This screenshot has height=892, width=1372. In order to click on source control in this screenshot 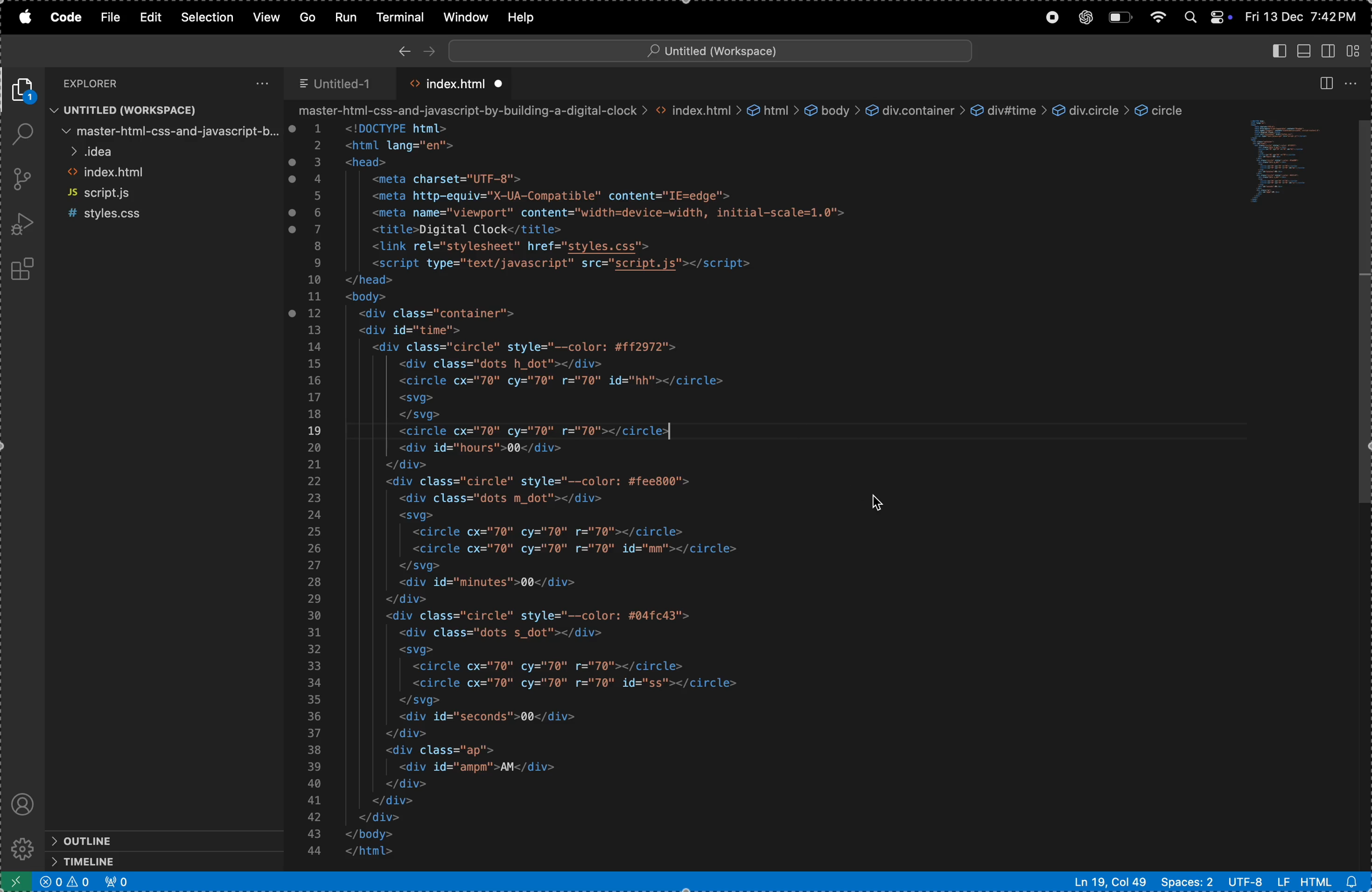, I will do `click(22, 180)`.